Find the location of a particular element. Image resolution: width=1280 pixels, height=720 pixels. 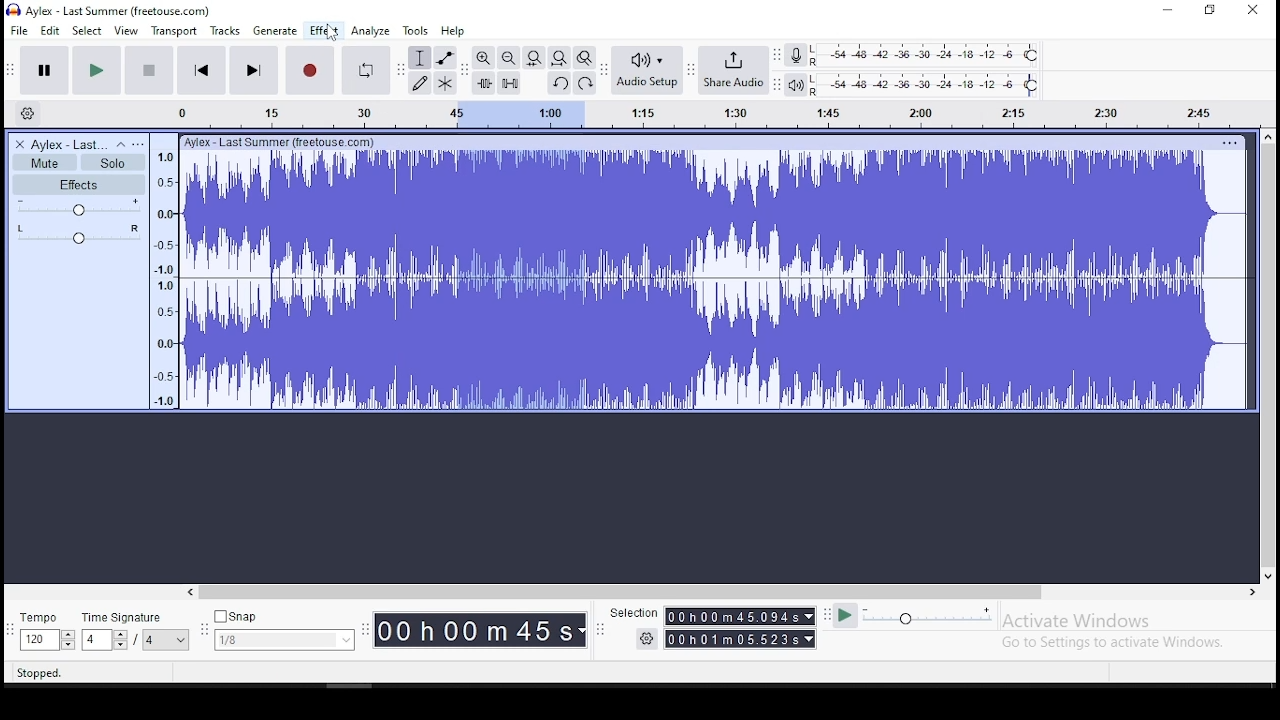

stop is located at coordinates (149, 70).